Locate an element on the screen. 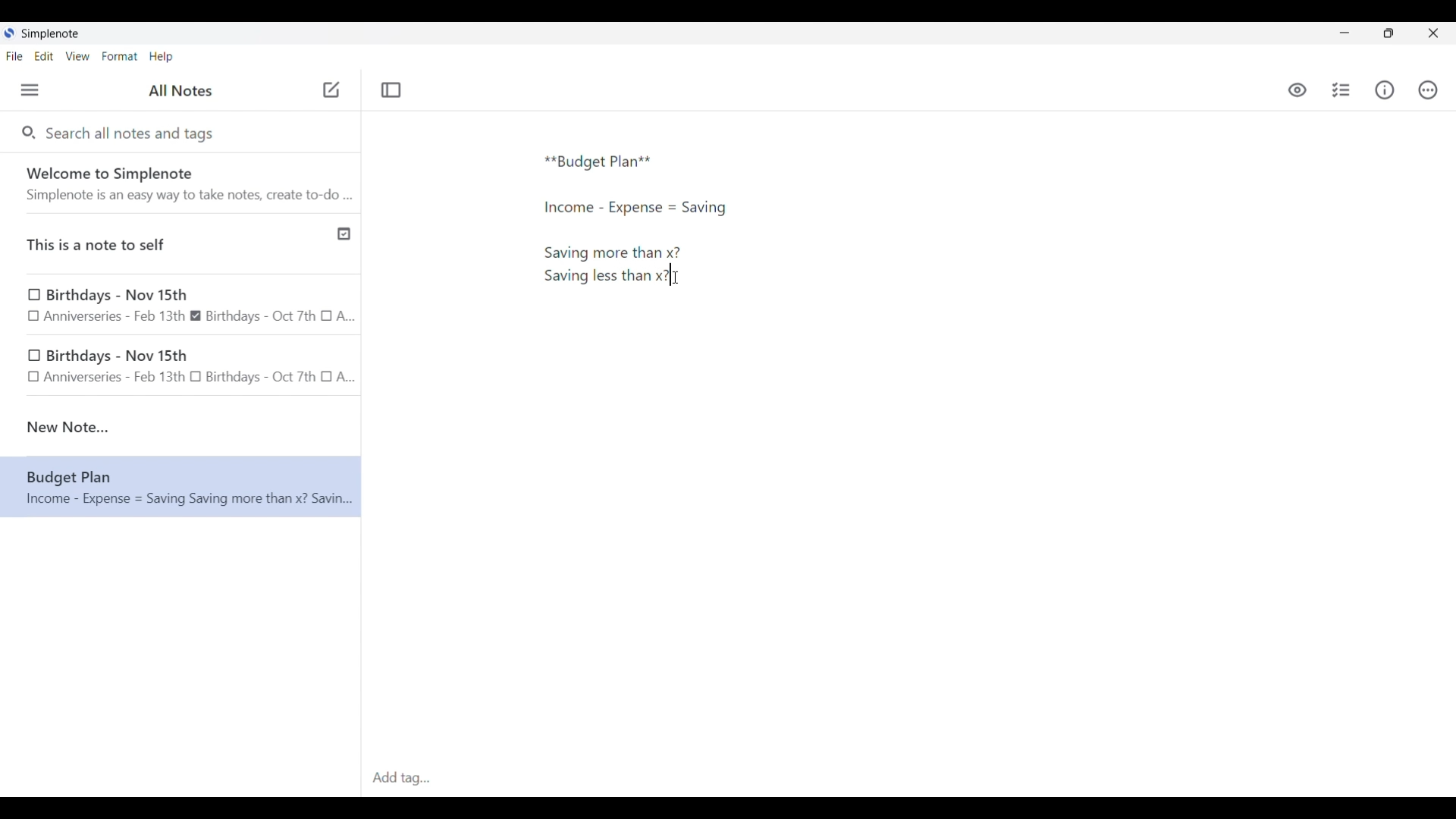 This screenshot has height=819, width=1456. Info is located at coordinates (1385, 89).